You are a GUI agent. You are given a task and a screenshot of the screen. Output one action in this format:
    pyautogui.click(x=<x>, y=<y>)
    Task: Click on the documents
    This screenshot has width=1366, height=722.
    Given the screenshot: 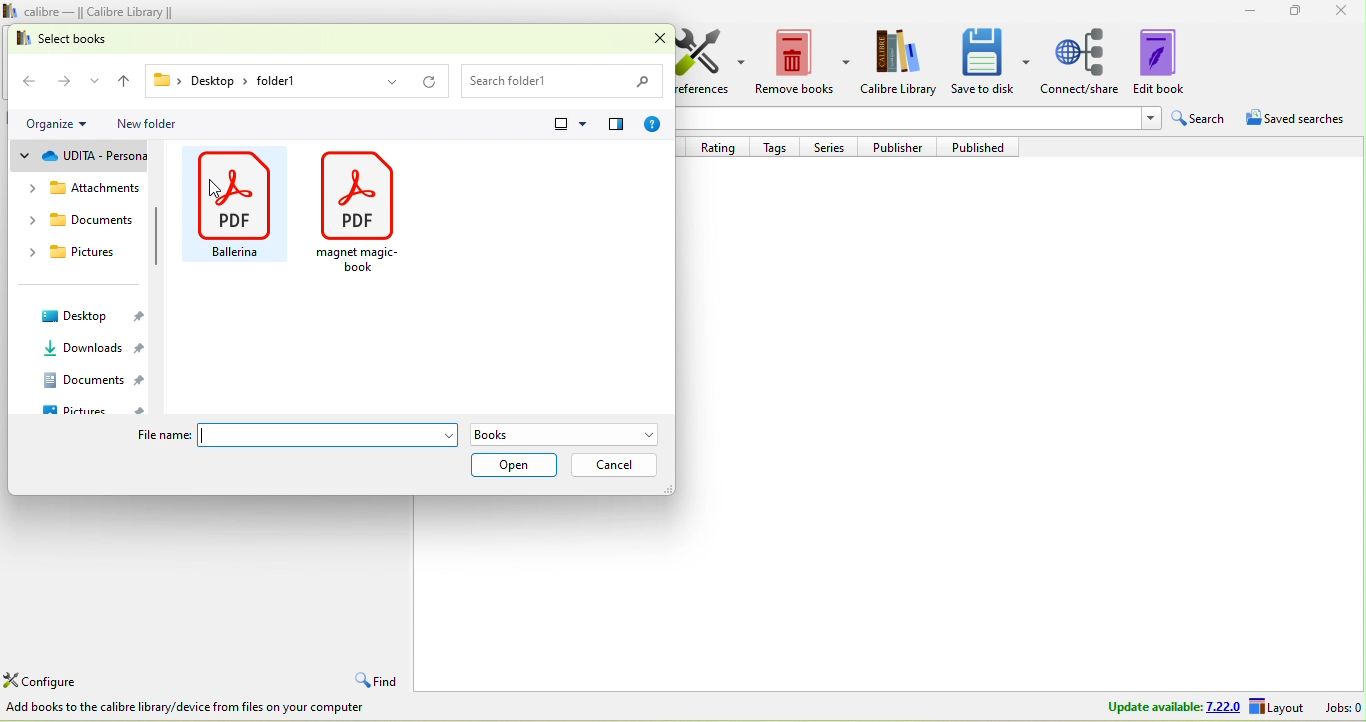 What is the action you would take?
    pyautogui.click(x=91, y=380)
    